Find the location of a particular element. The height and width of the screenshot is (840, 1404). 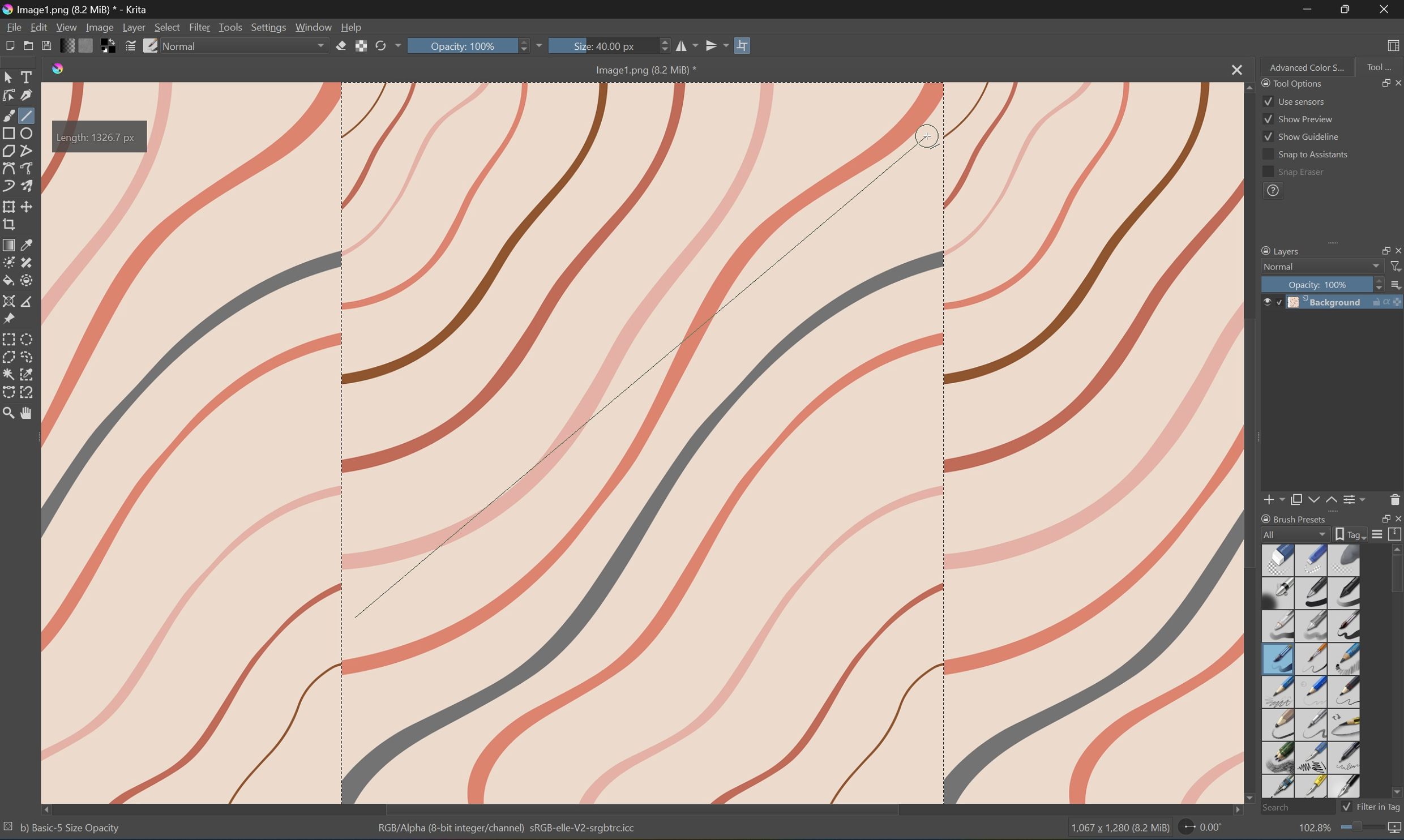

Swap foreground and background colors to black and white is located at coordinates (109, 46).